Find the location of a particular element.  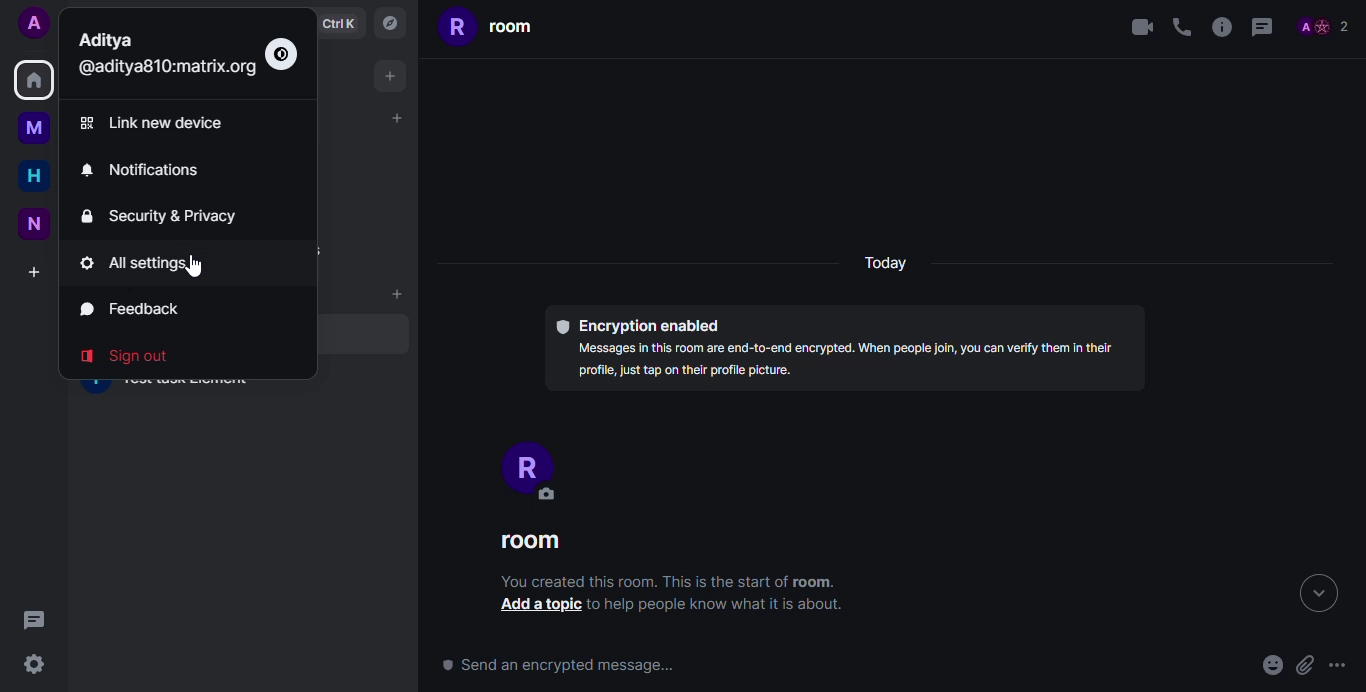

expand is located at coordinates (1312, 593).